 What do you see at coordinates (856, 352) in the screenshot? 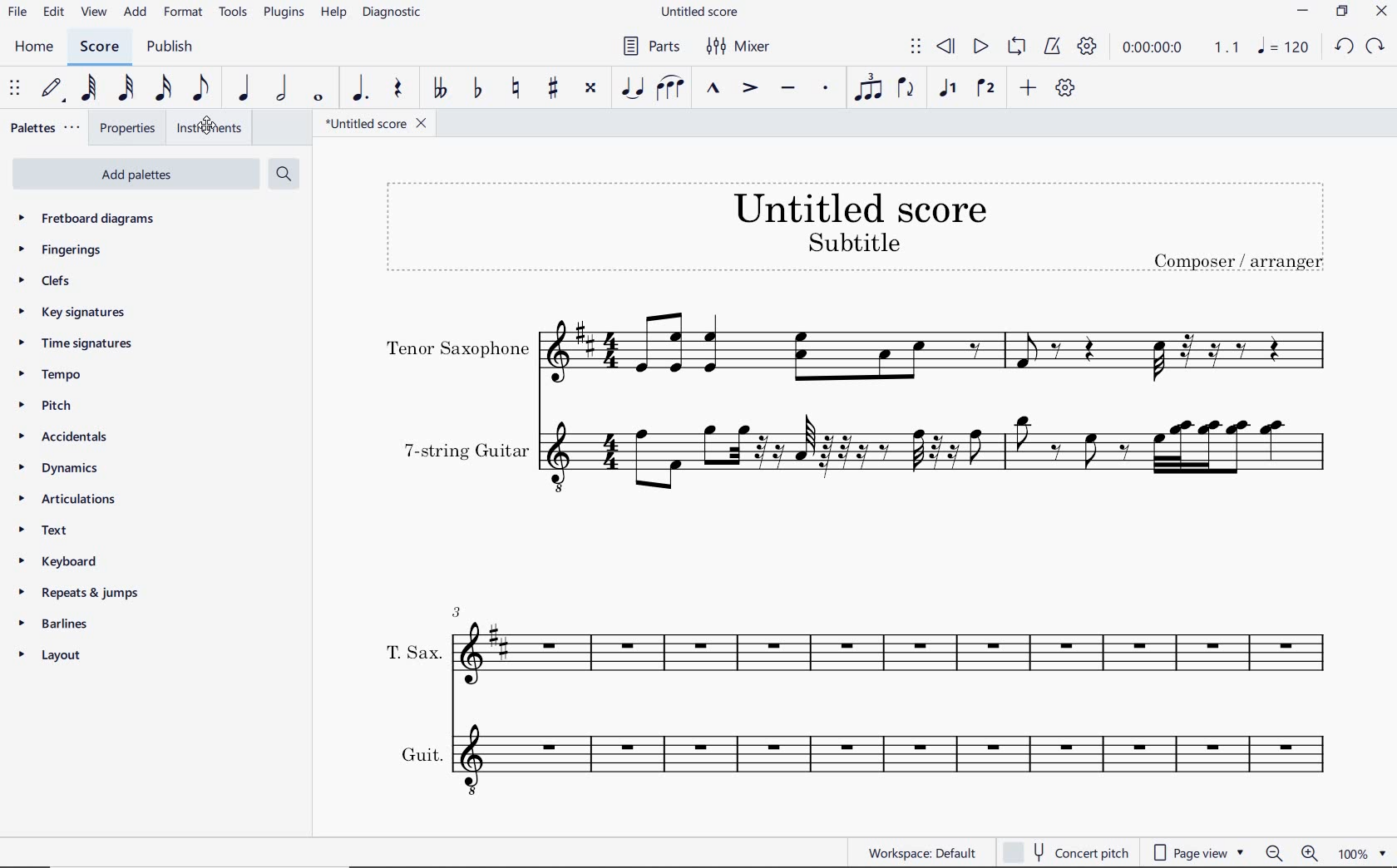
I see `INSTRUMENT: TENOR SAXOPHONE` at bounding box center [856, 352].